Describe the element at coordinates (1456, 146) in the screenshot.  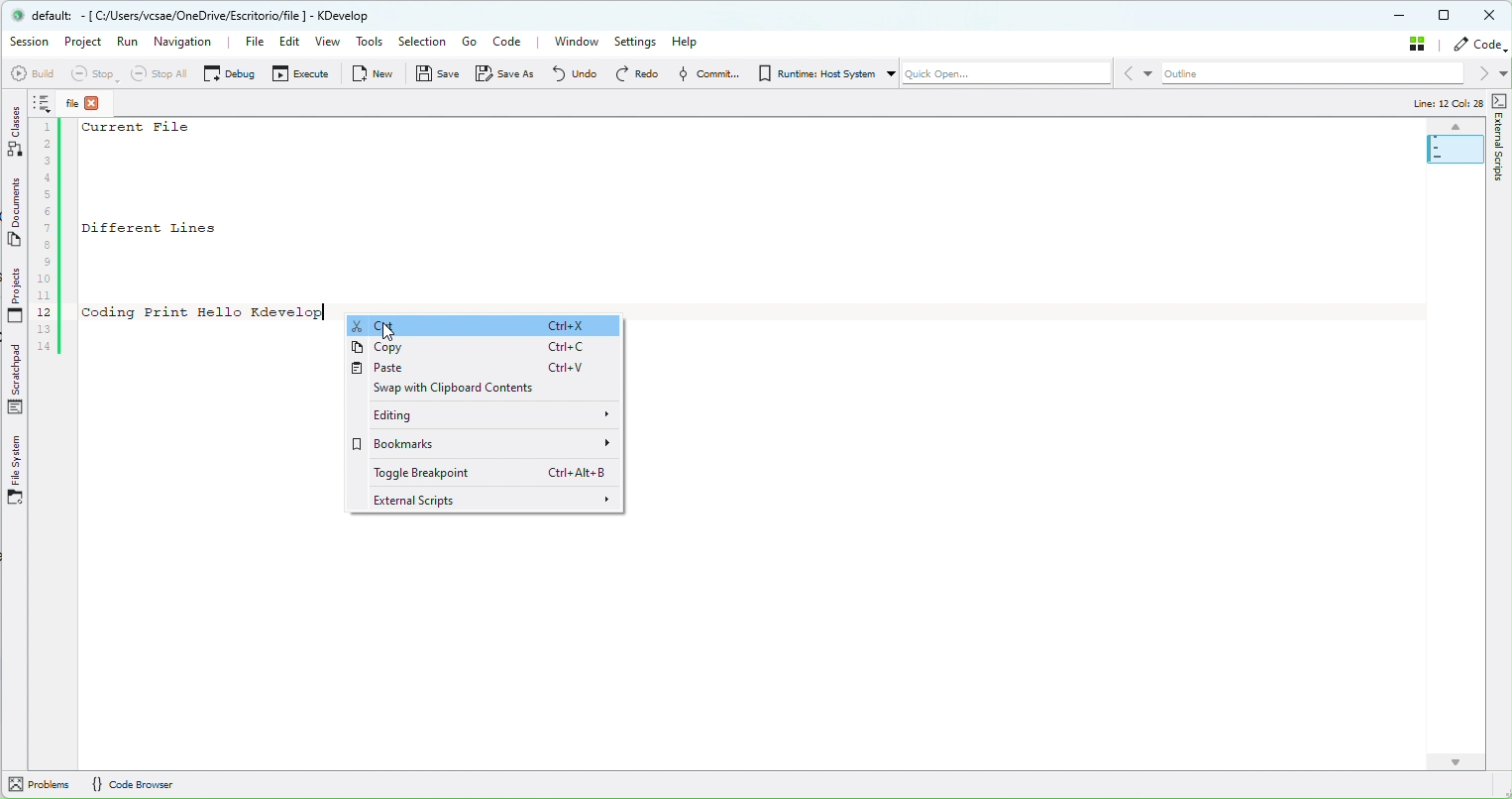
I see `Map` at that location.